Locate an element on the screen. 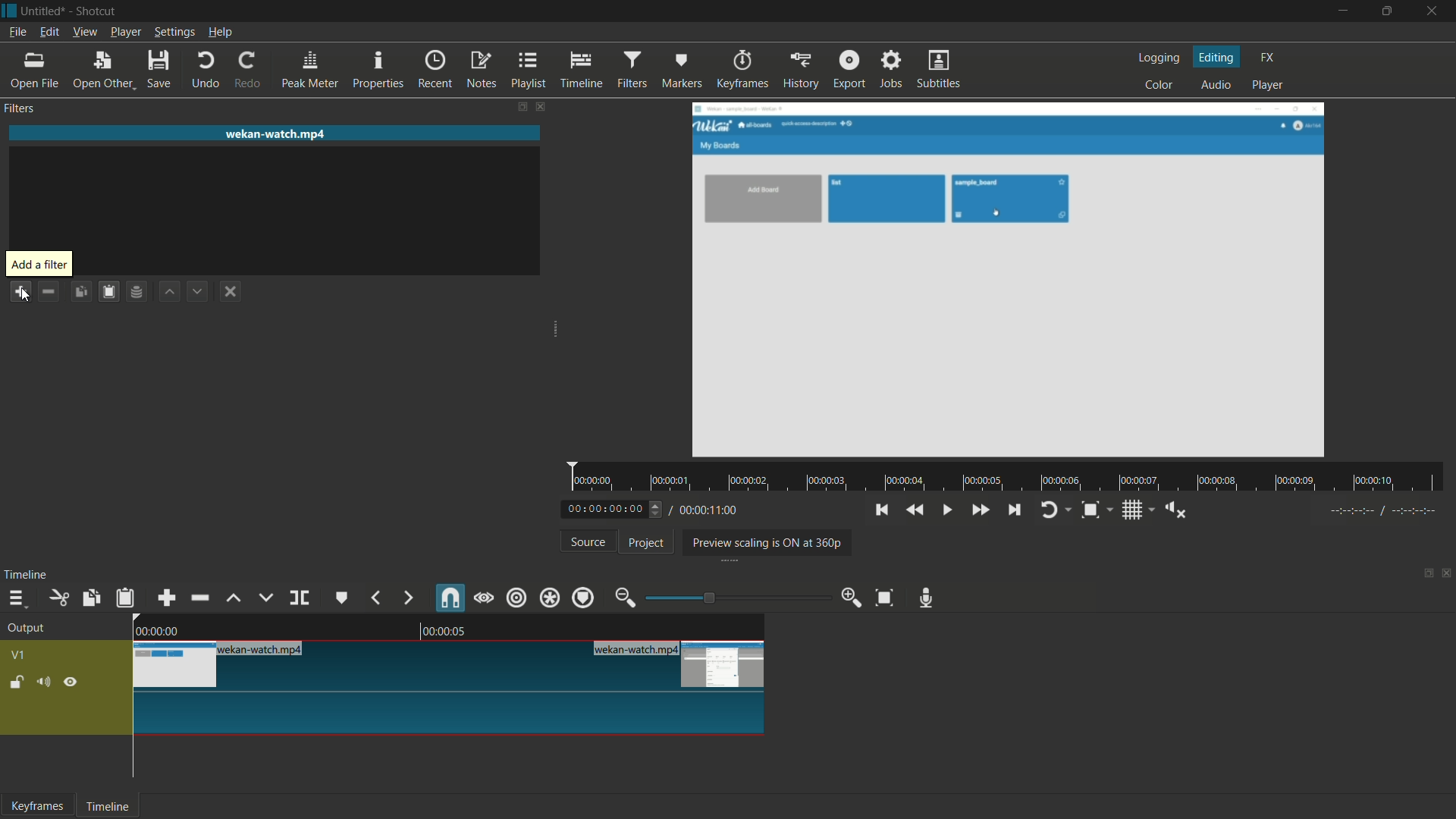  mute is located at coordinates (48, 683).